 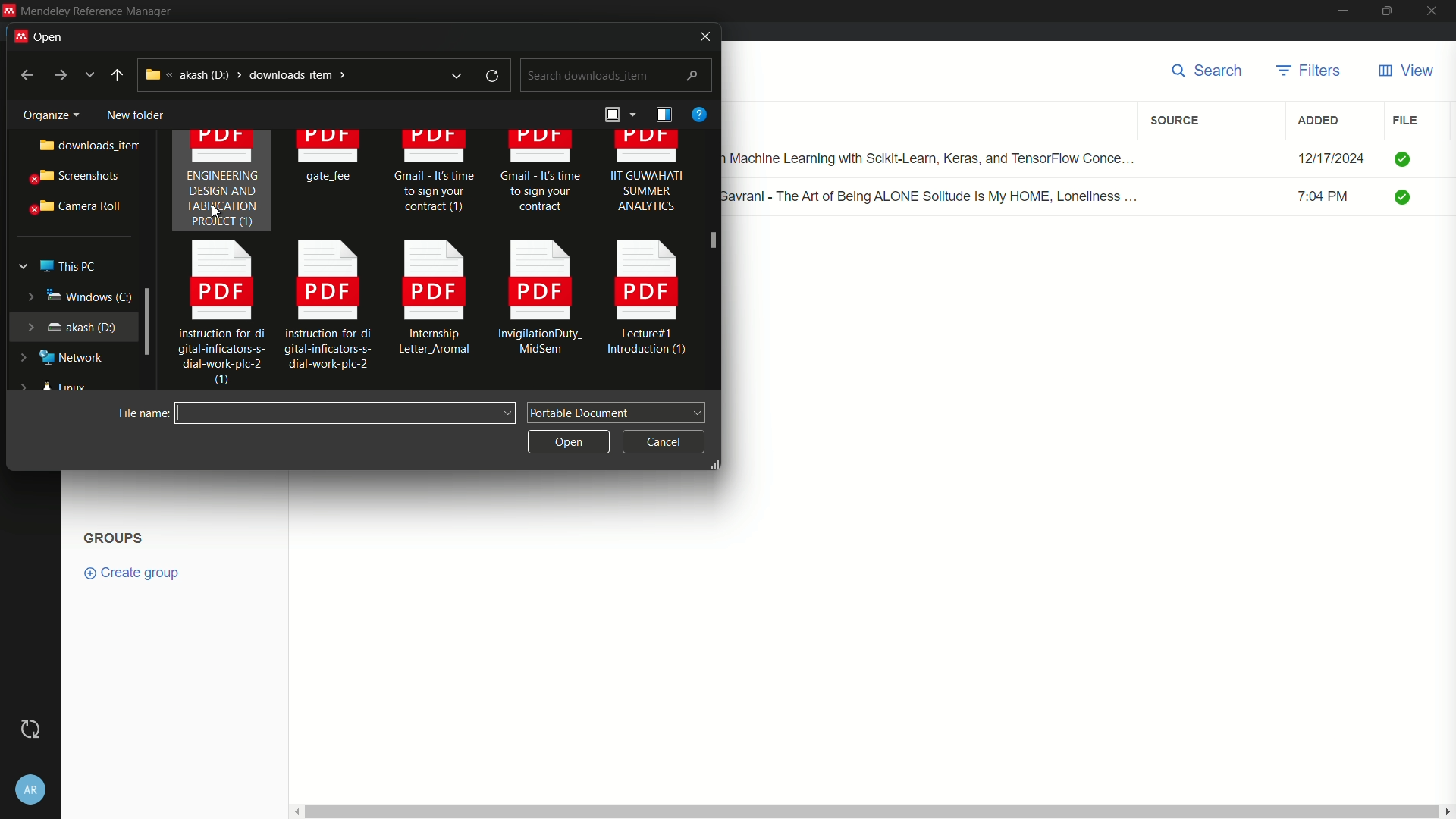 What do you see at coordinates (664, 115) in the screenshot?
I see `details` at bounding box center [664, 115].